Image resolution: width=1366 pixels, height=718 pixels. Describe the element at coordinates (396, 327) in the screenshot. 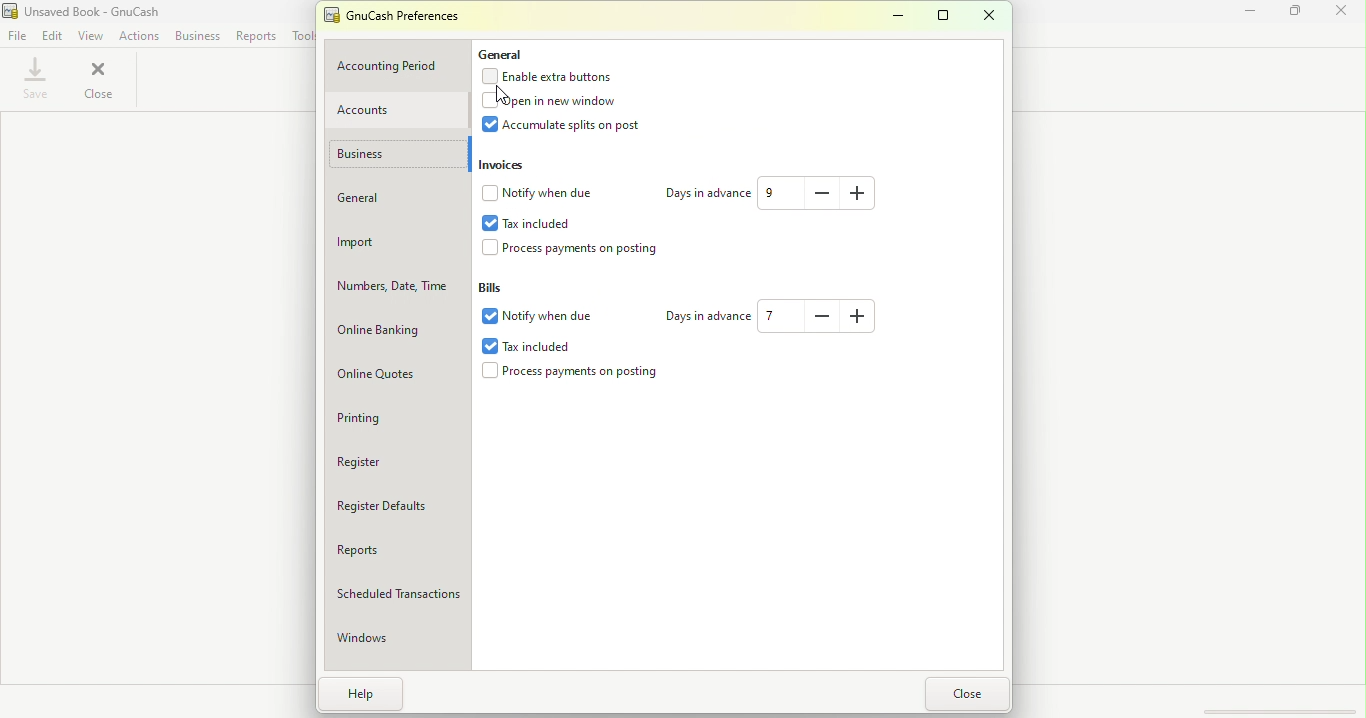

I see `Online Banking` at that location.